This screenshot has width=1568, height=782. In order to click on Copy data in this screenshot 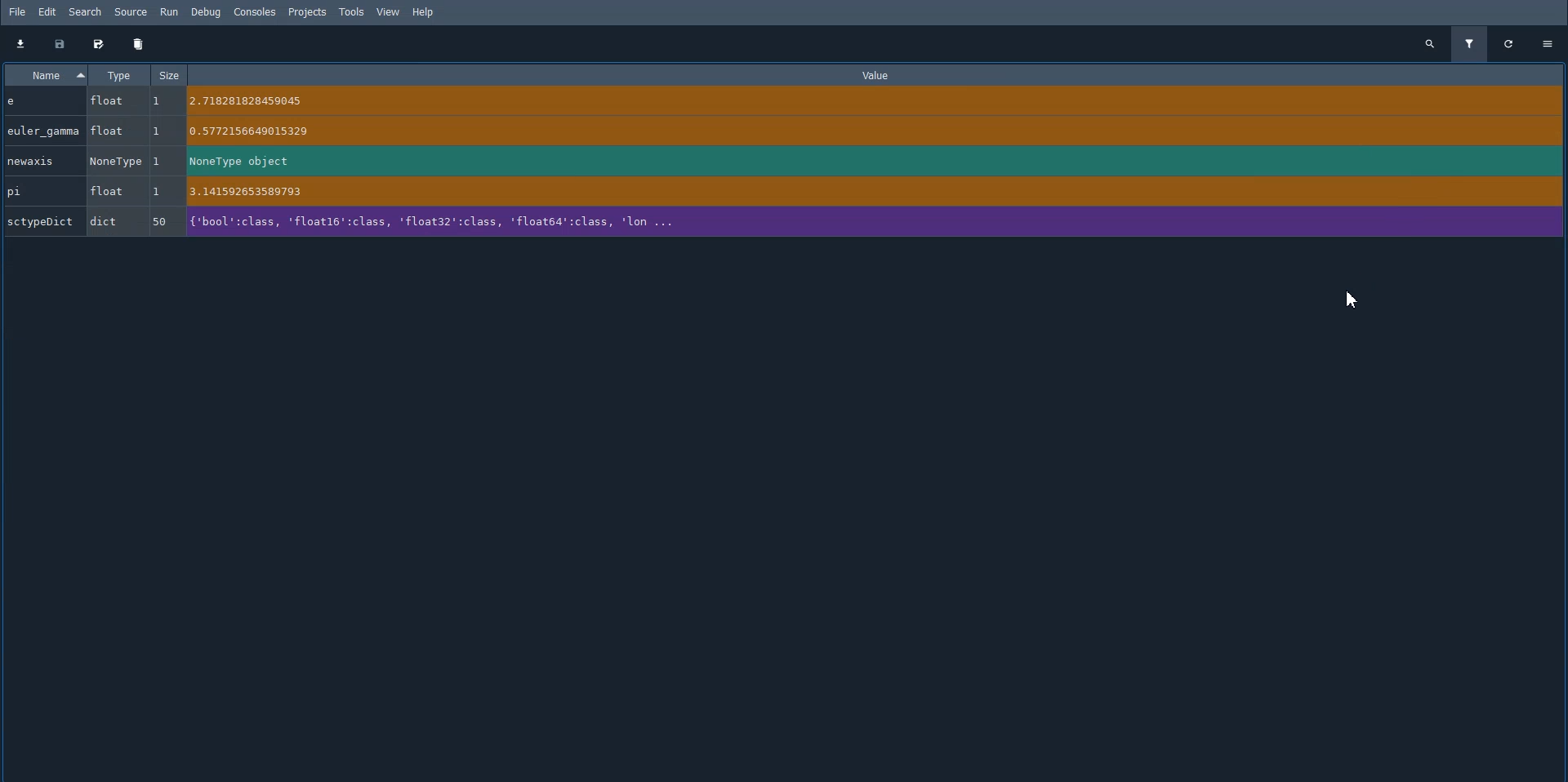, I will do `click(59, 44)`.